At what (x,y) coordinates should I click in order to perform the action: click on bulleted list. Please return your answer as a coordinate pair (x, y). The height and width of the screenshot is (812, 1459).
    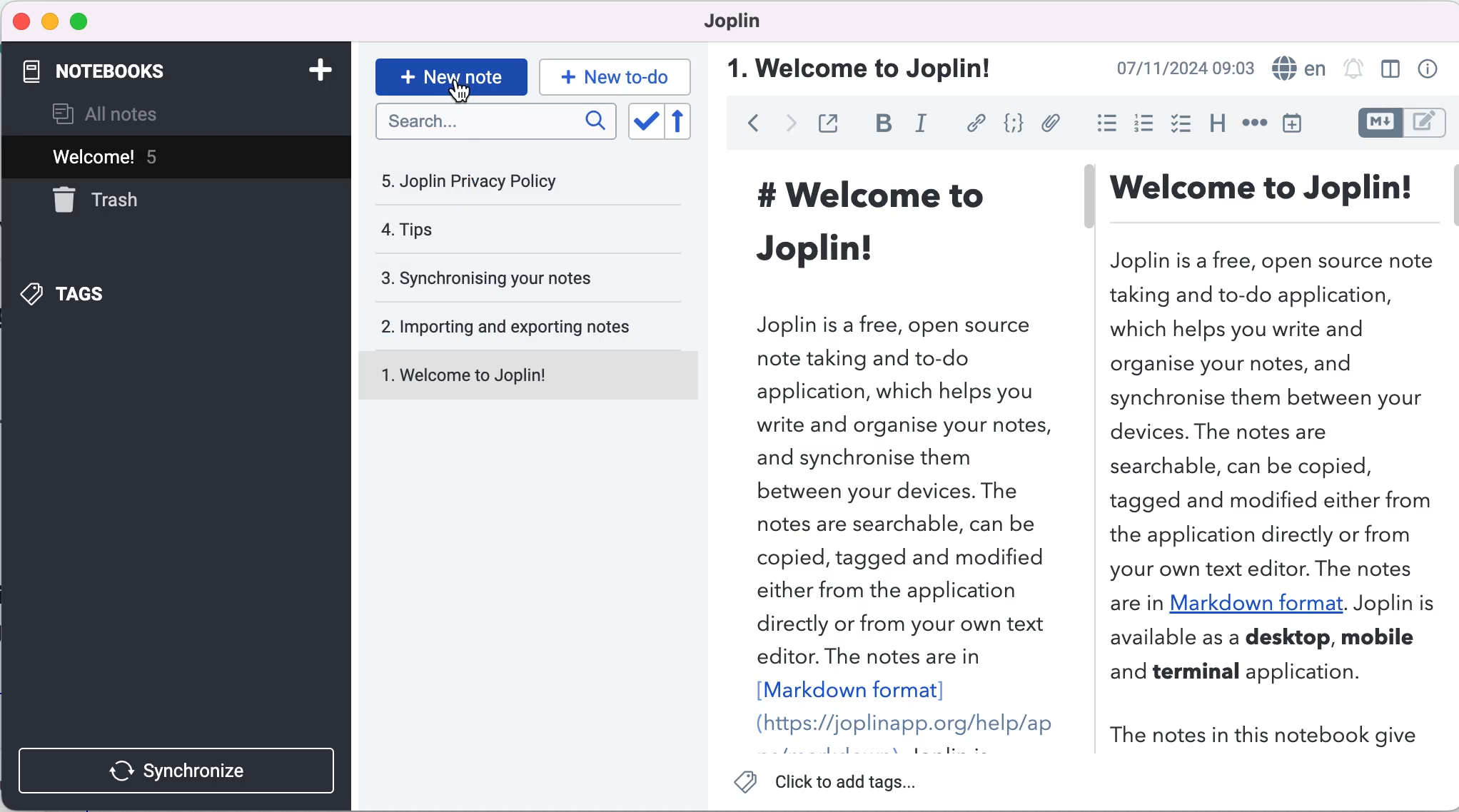
    Looking at the image, I should click on (1104, 122).